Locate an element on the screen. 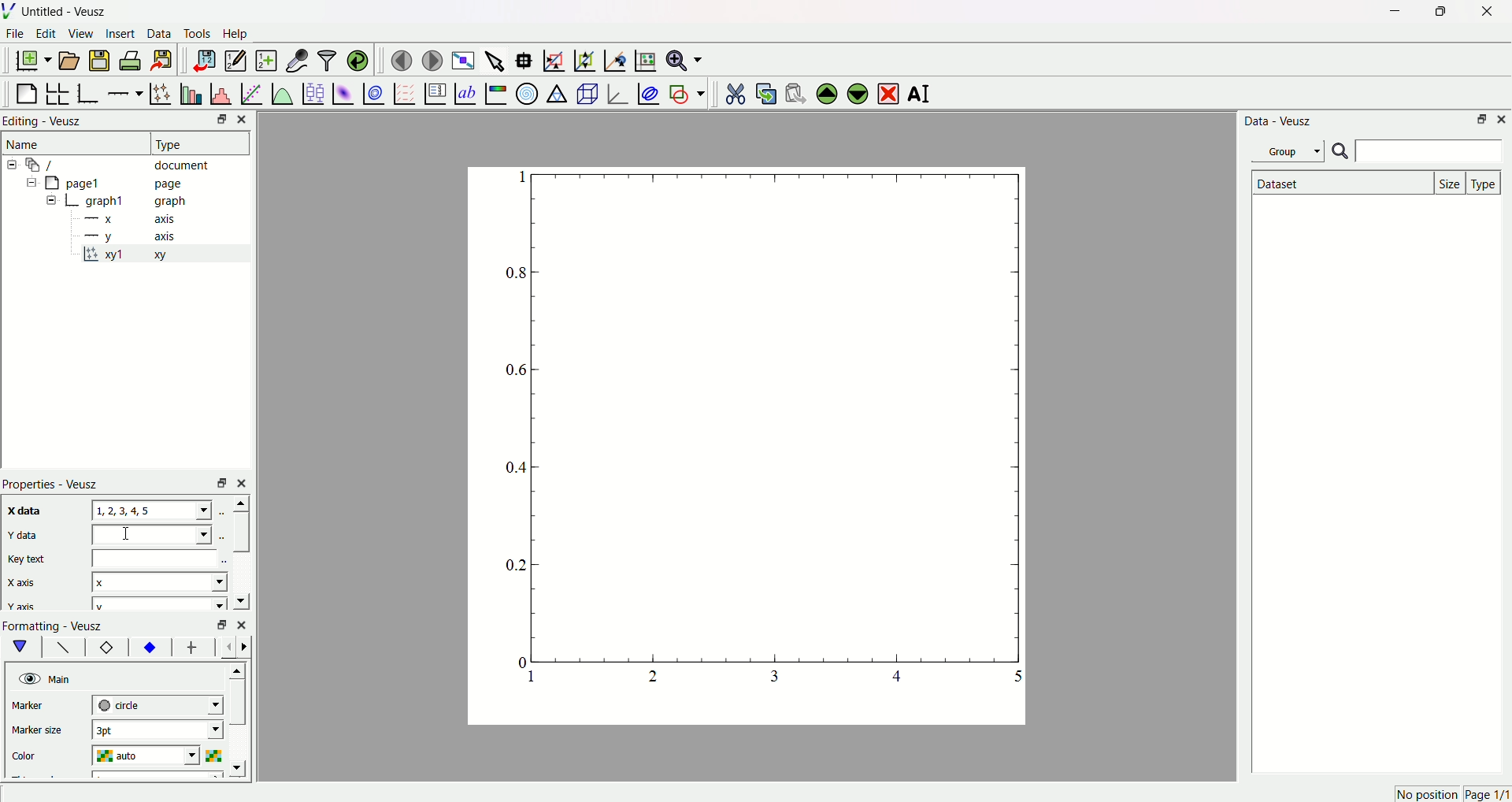 The image size is (1512, 802). text label is located at coordinates (464, 92).